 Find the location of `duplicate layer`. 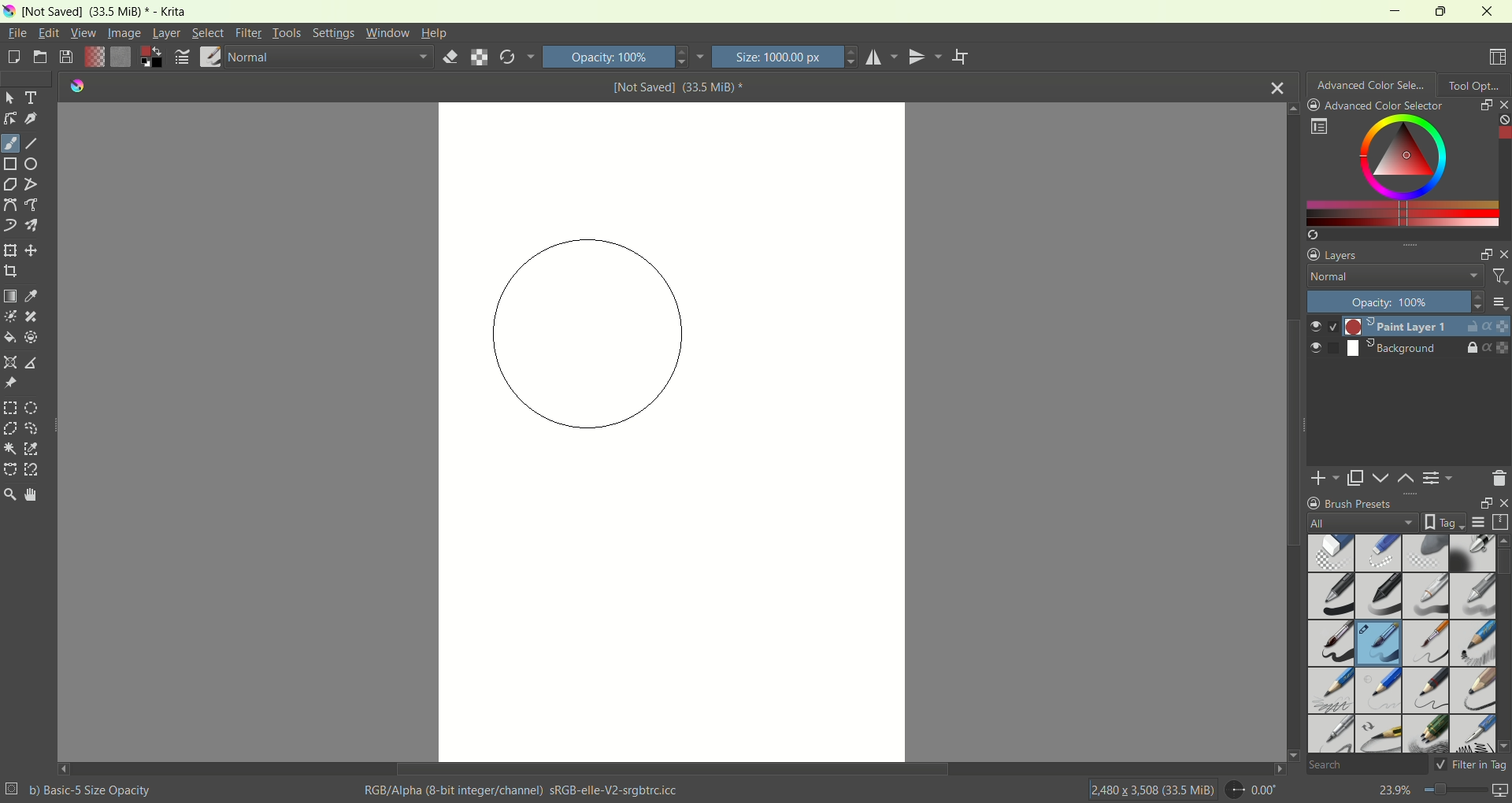

duplicate layer is located at coordinates (1357, 478).